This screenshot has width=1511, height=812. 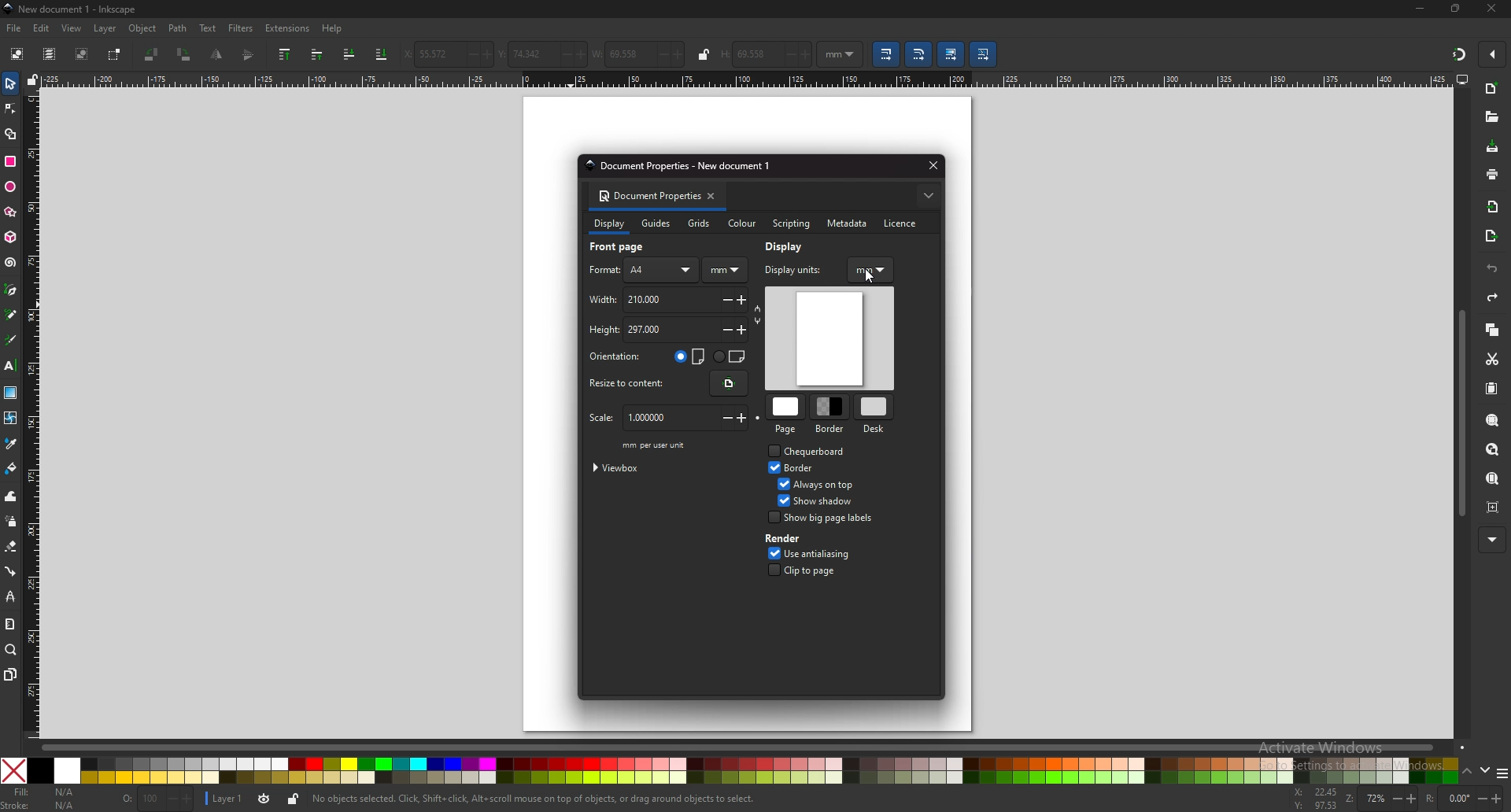 What do you see at coordinates (465, 54) in the screenshot?
I see `-` at bounding box center [465, 54].